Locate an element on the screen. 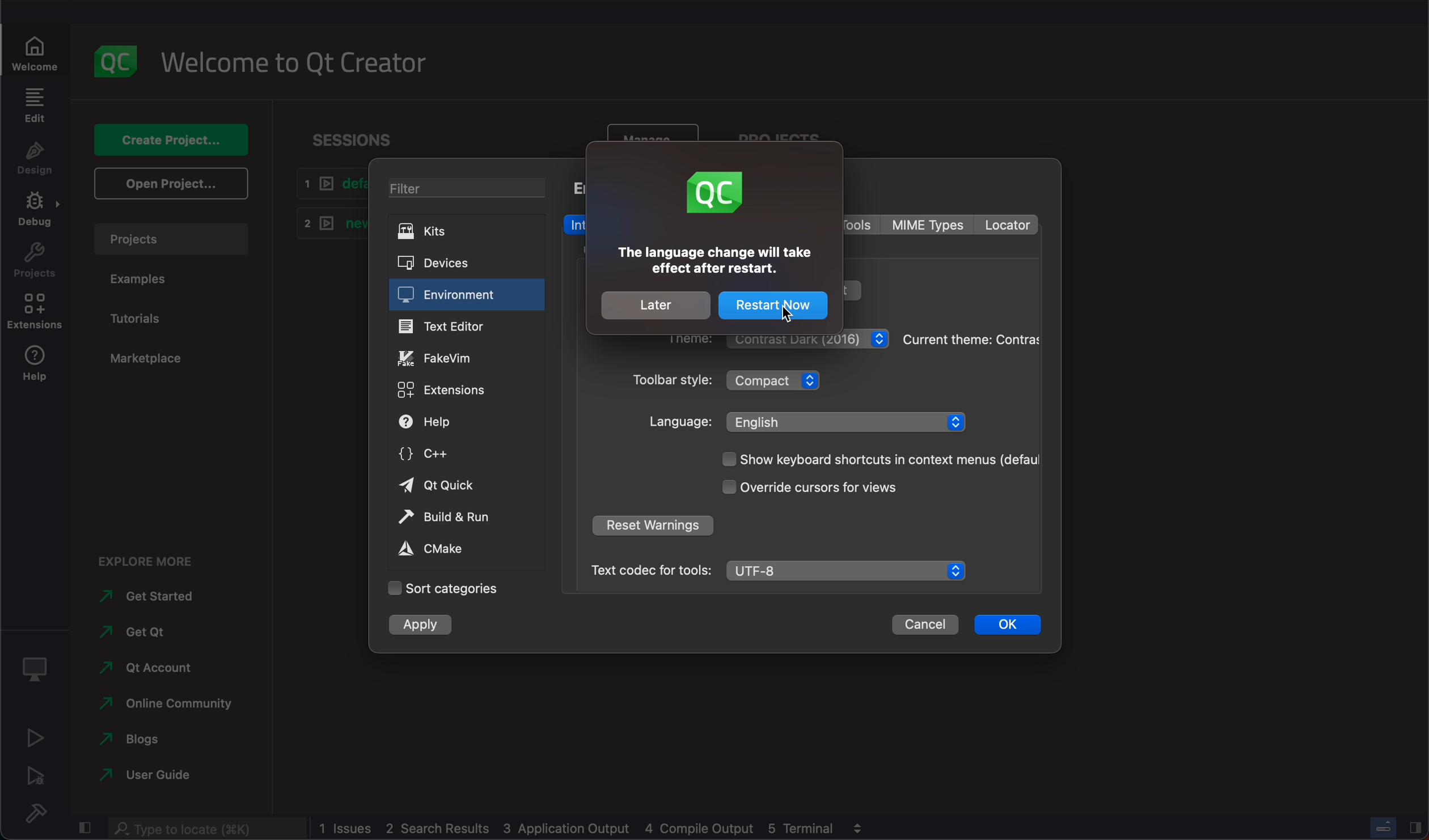  ok is located at coordinates (1009, 626).